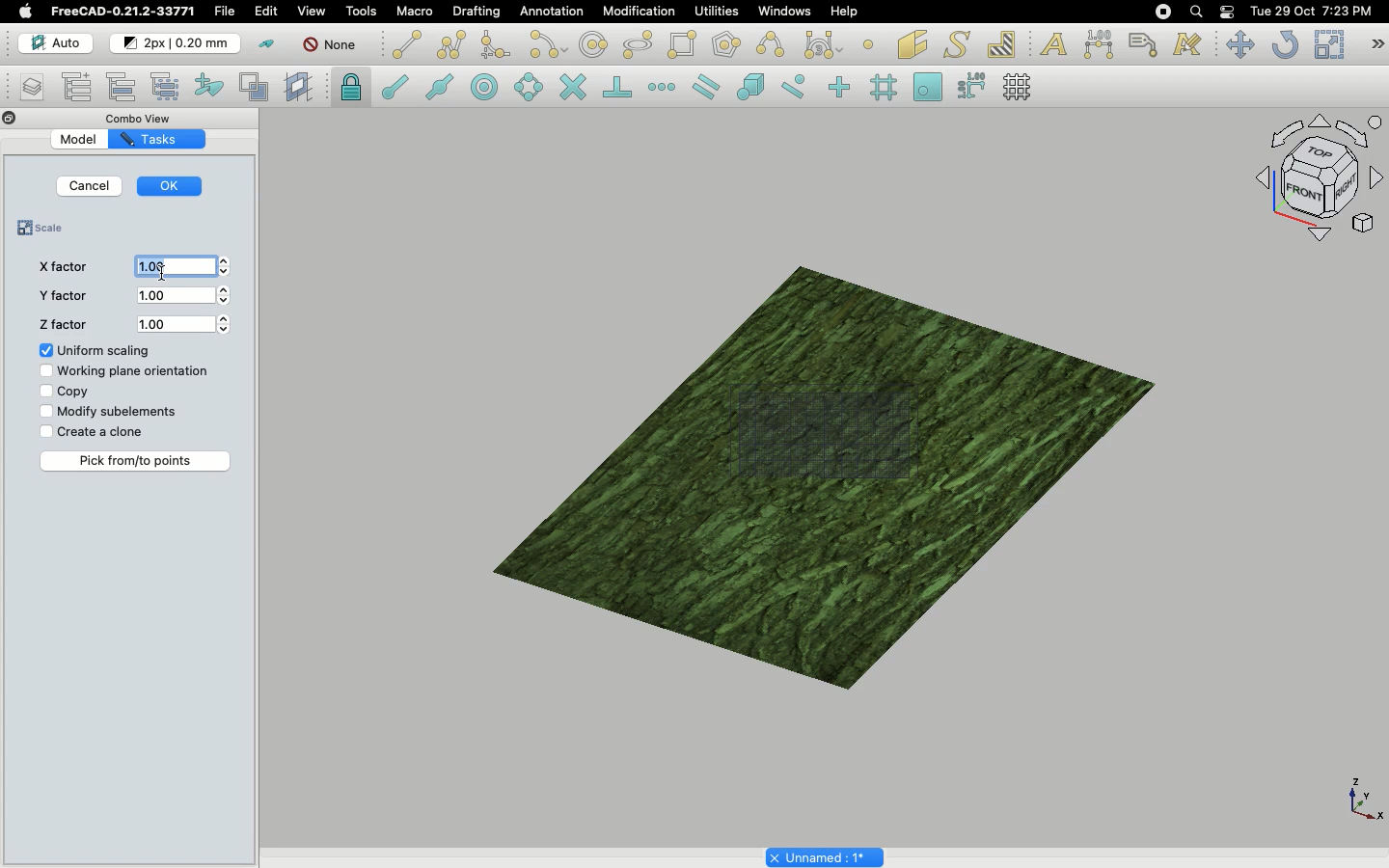 This screenshot has height=868, width=1389. Describe the element at coordinates (1003, 42) in the screenshot. I see `Hatch` at that location.